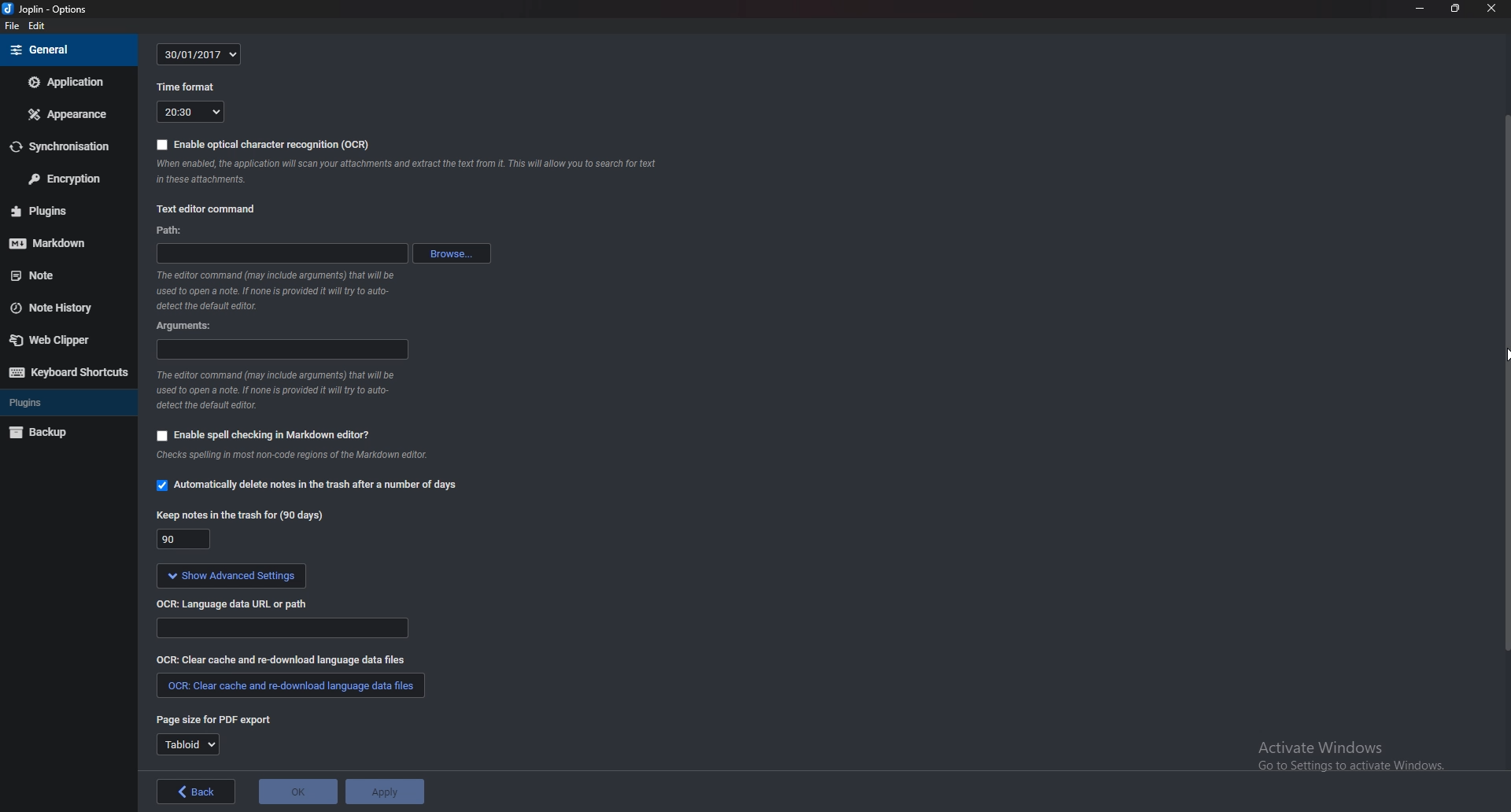 The width and height of the screenshot is (1511, 812). What do you see at coordinates (68, 114) in the screenshot?
I see `Appearance` at bounding box center [68, 114].